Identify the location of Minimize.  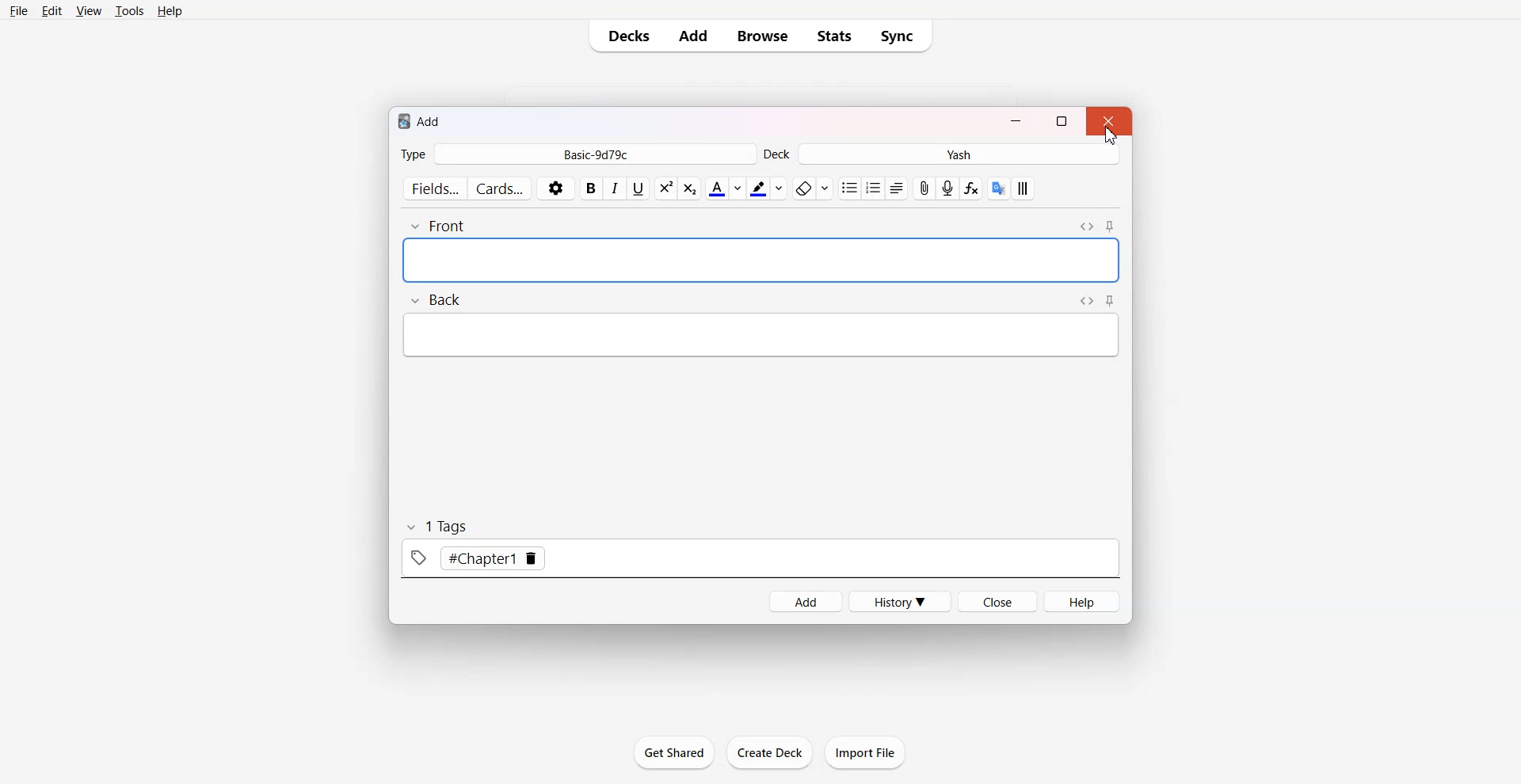
(1016, 120).